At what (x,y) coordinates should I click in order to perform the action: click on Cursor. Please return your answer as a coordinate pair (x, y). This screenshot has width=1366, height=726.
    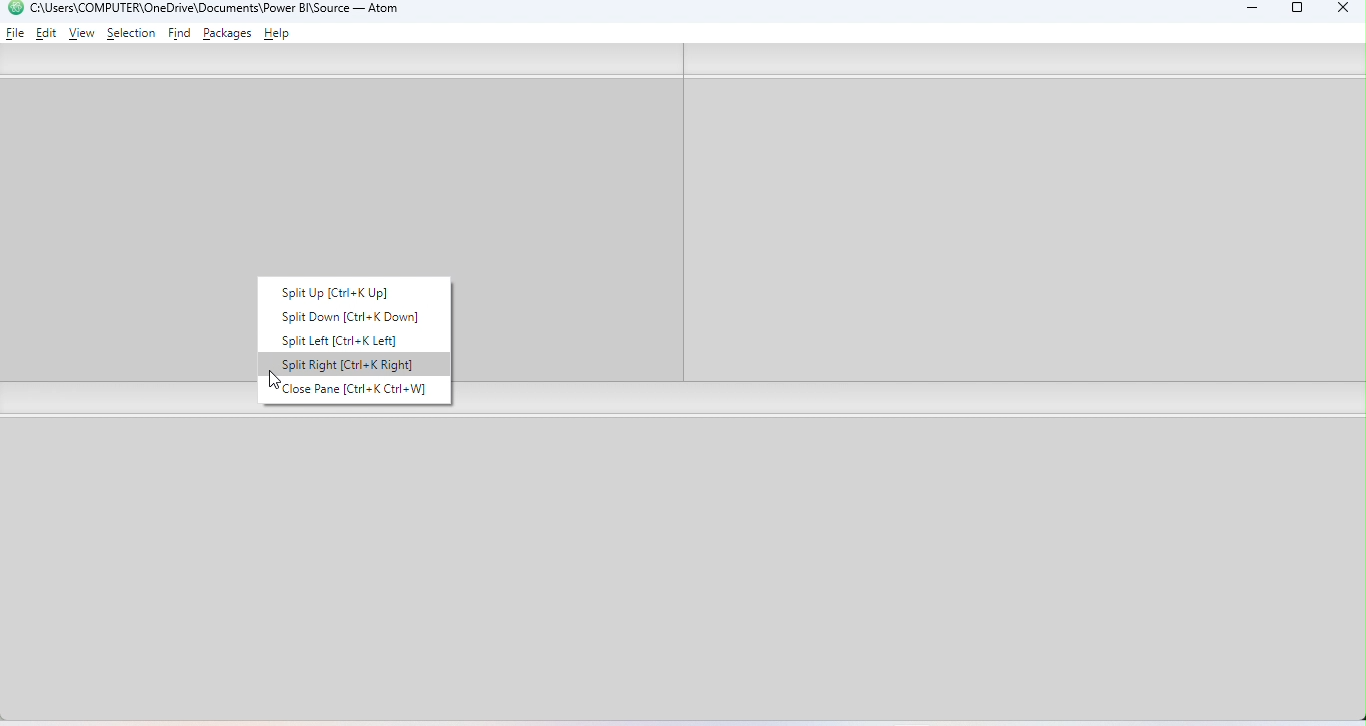
    Looking at the image, I should click on (276, 384).